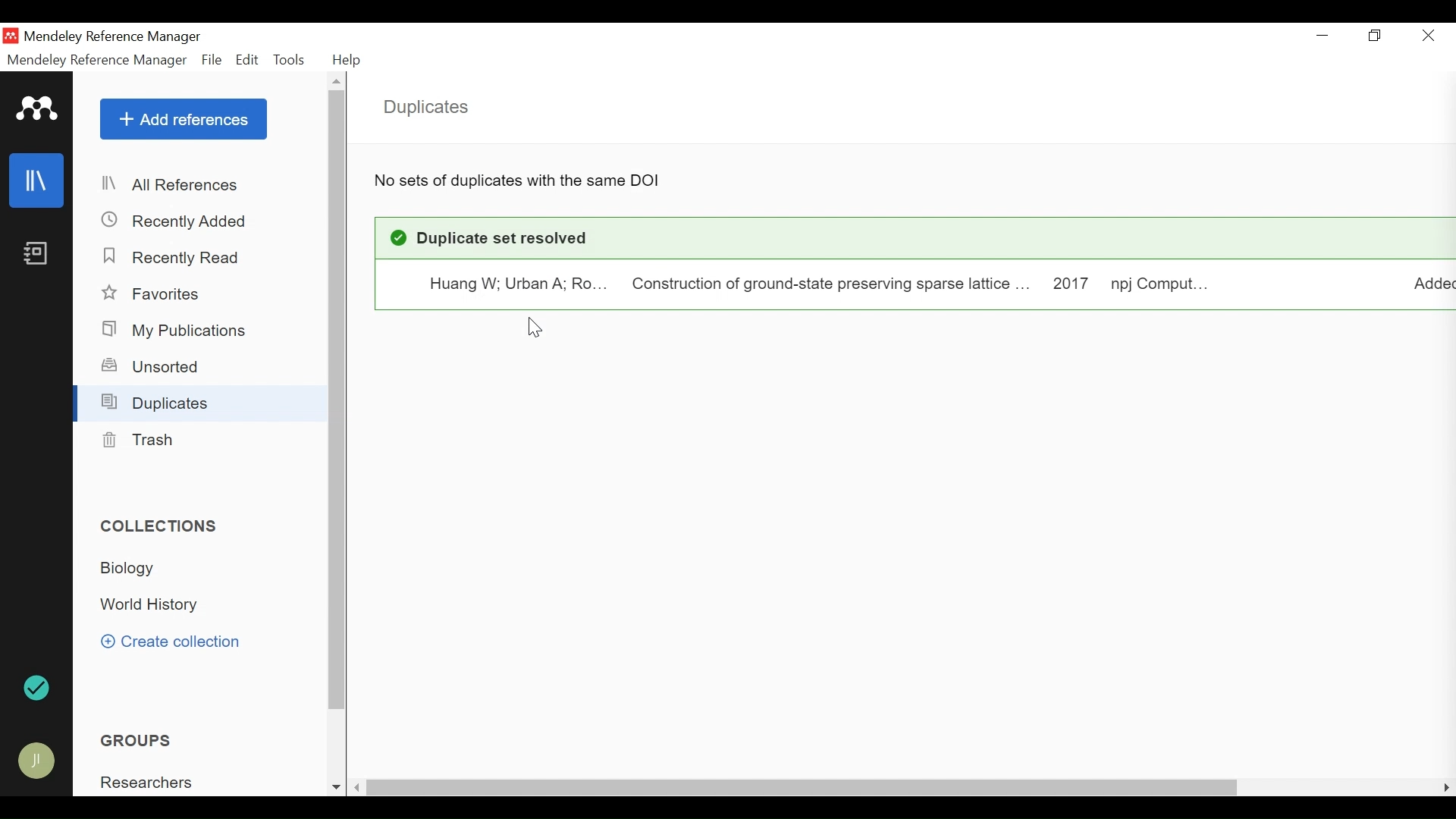 Image resolution: width=1456 pixels, height=819 pixels. What do you see at coordinates (37, 109) in the screenshot?
I see `Mendeley Logo` at bounding box center [37, 109].